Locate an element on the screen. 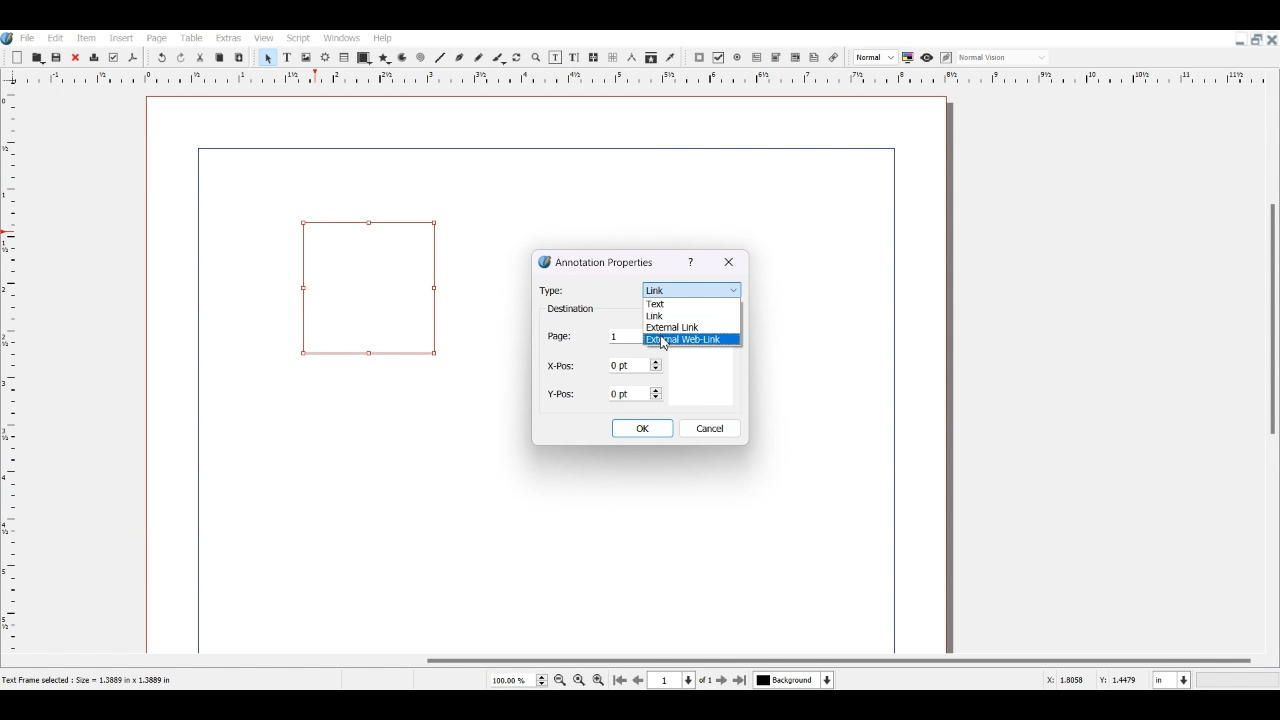 This screenshot has height=720, width=1280. PDF Combo Box is located at coordinates (776, 58).